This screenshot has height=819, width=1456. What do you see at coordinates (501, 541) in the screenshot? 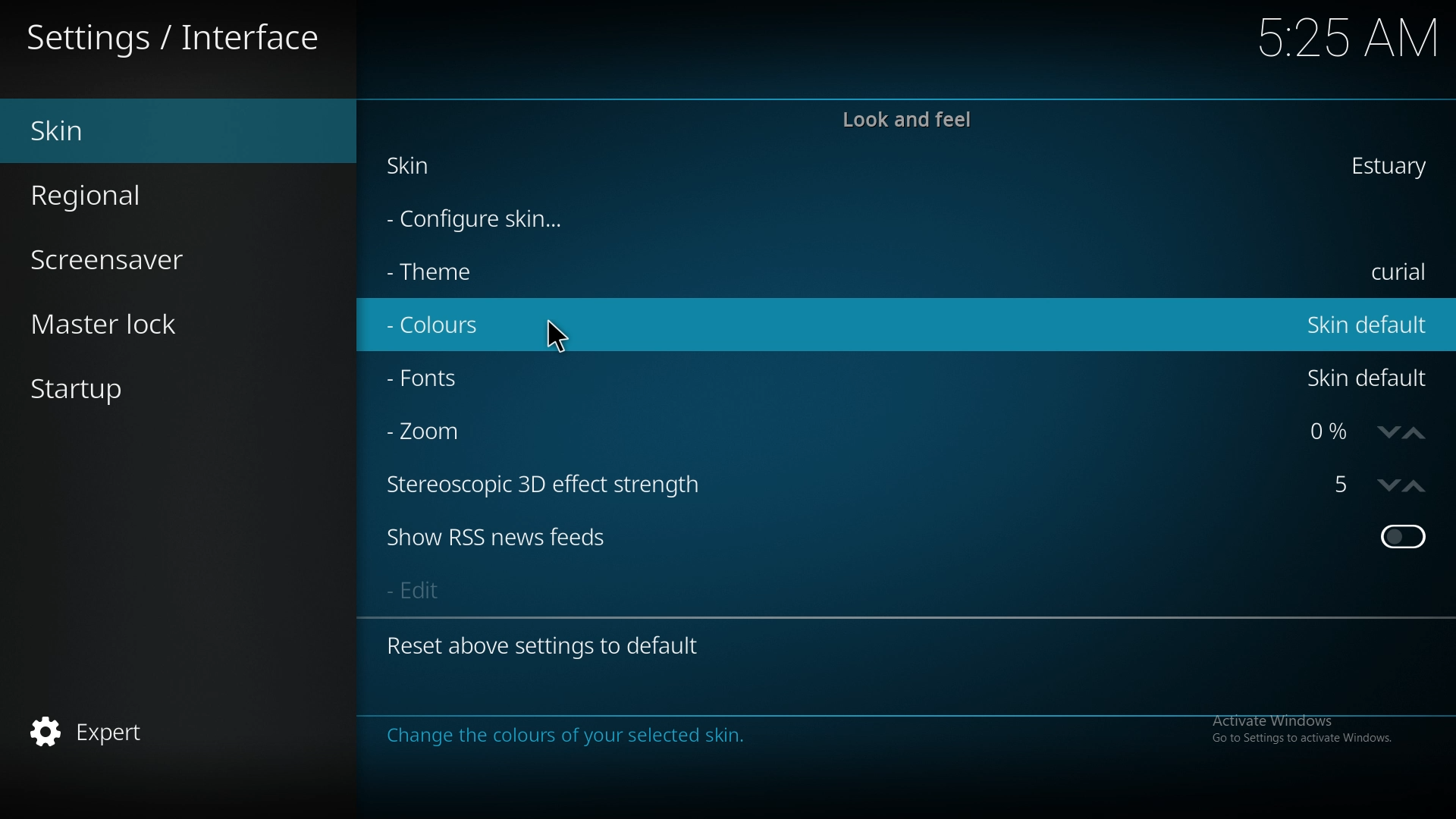
I see `show rss new feeds` at bounding box center [501, 541].